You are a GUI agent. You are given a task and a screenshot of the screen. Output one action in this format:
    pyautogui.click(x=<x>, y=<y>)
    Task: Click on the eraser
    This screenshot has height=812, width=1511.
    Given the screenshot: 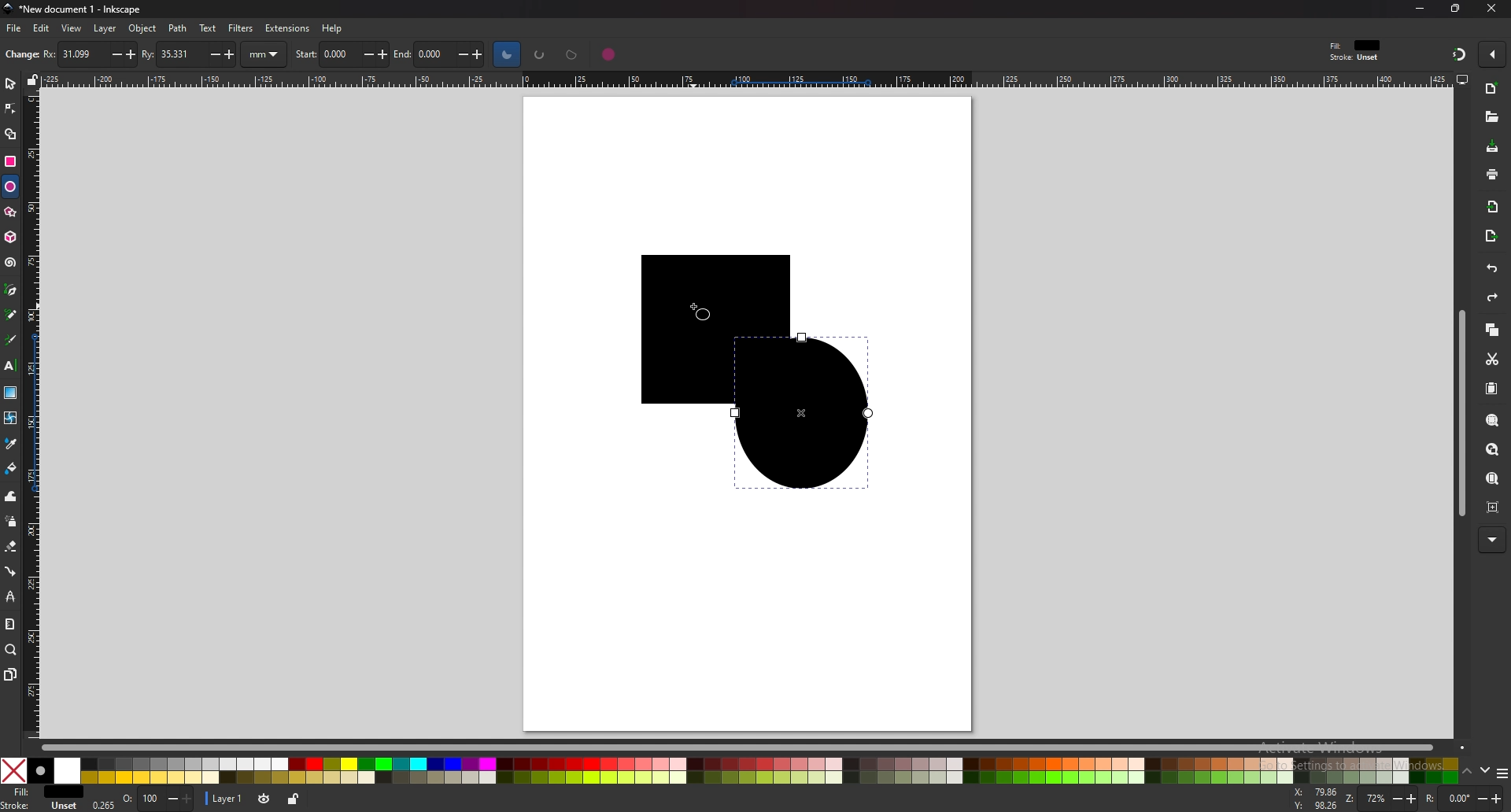 What is the action you would take?
    pyautogui.click(x=11, y=546)
    